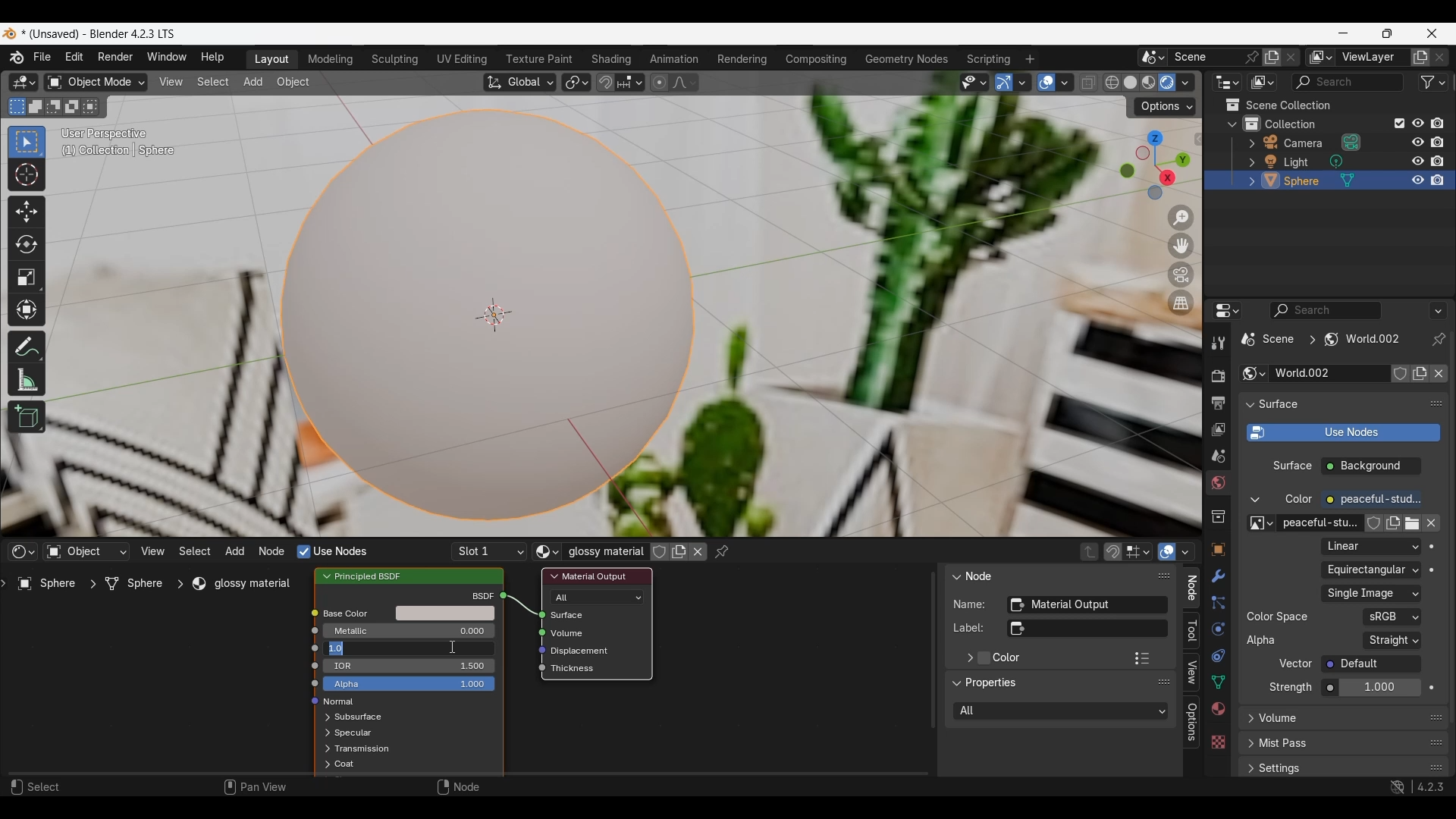 Image resolution: width=1456 pixels, height=819 pixels. What do you see at coordinates (122, 149) in the screenshot?
I see `(1) Collection | Sphere` at bounding box center [122, 149].